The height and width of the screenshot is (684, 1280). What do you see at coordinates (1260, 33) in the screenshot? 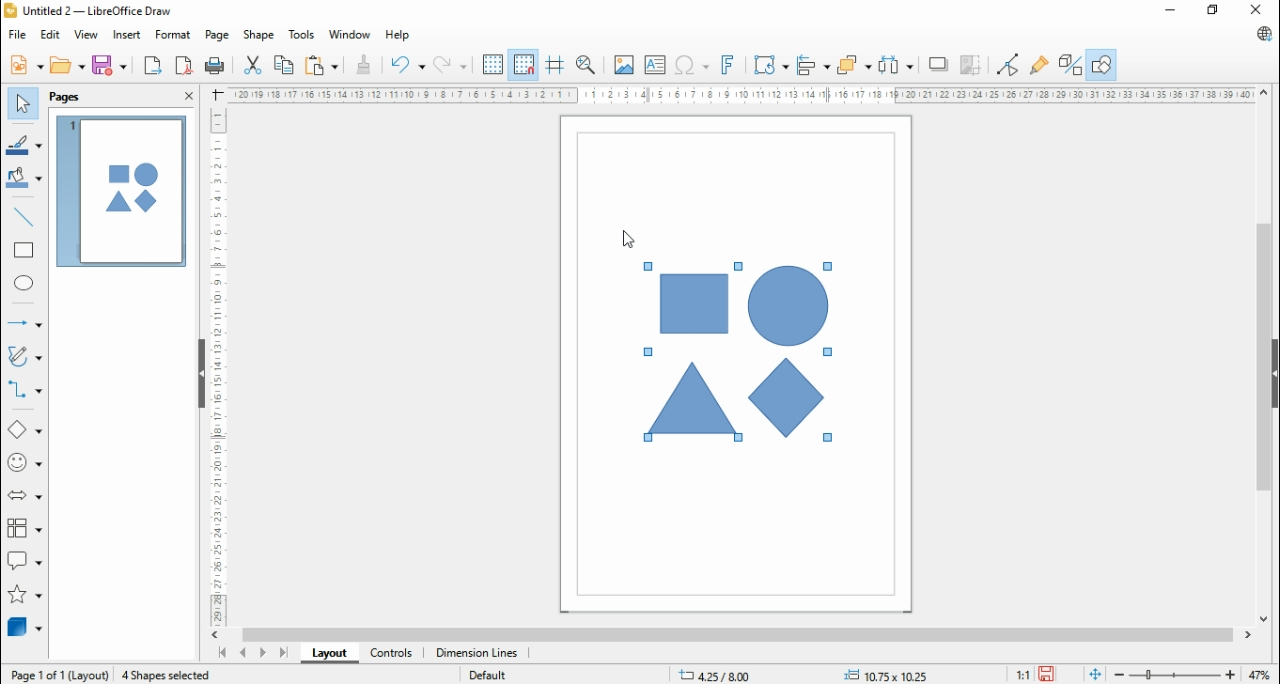
I see `libre office update` at bounding box center [1260, 33].